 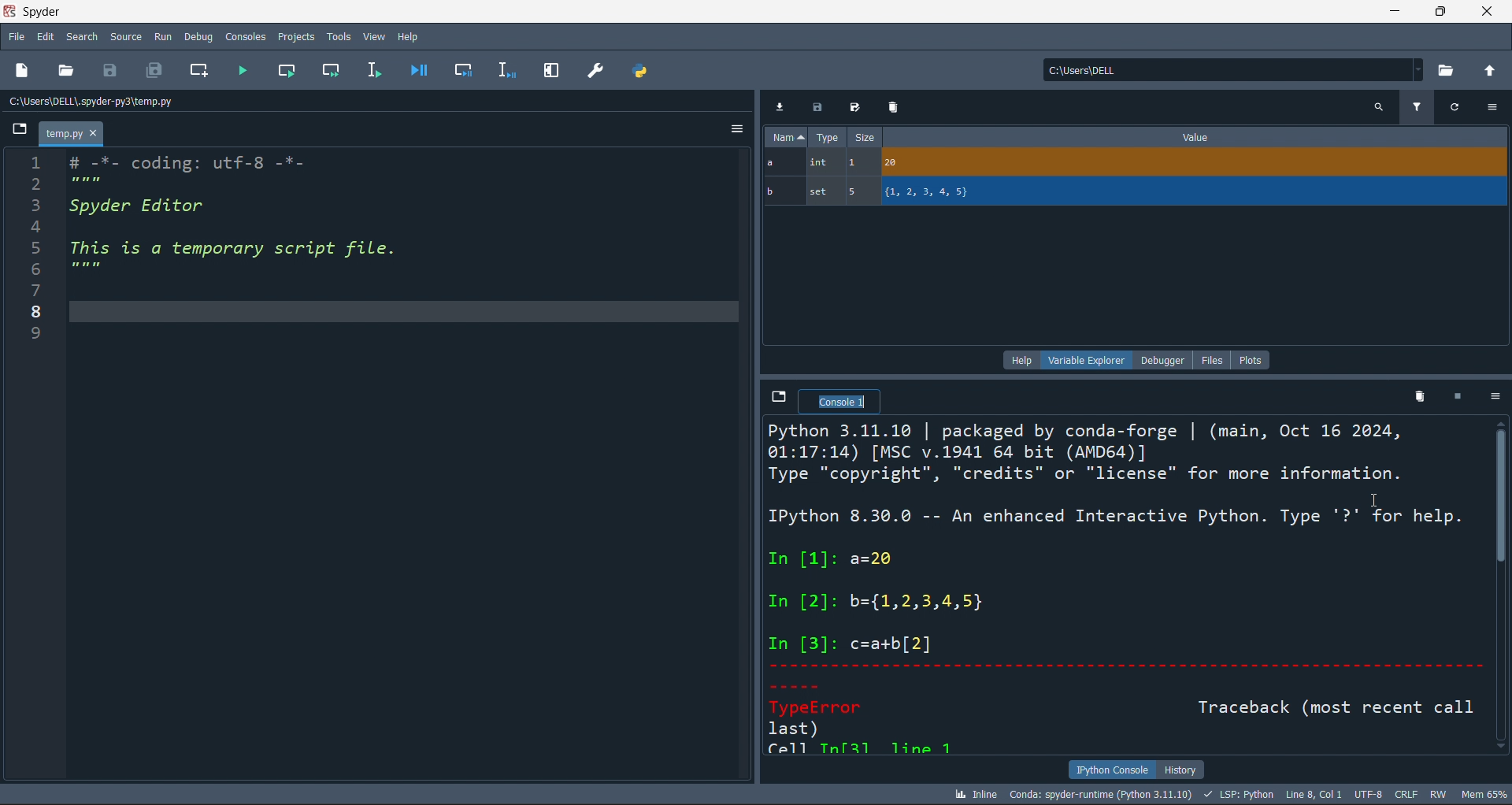 I want to click on TOOLS, so click(x=338, y=35).